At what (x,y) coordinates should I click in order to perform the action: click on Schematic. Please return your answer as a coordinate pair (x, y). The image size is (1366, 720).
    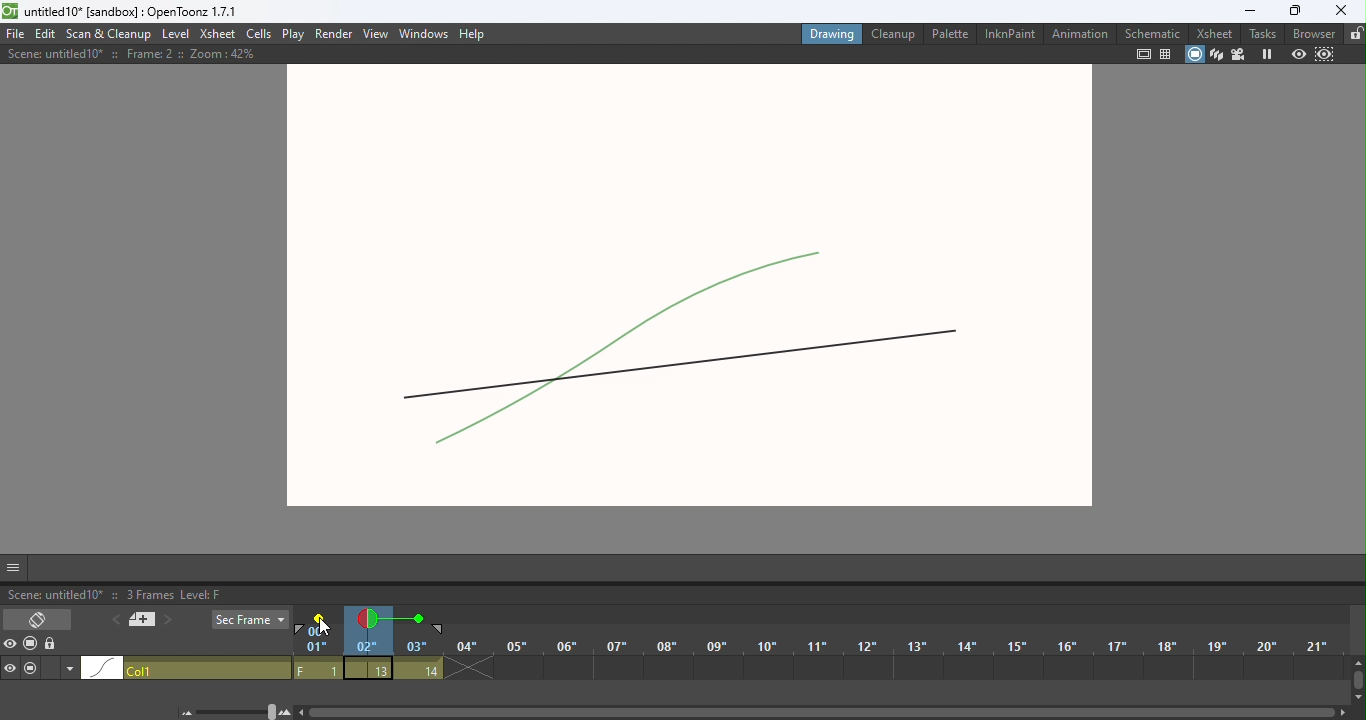
    Looking at the image, I should click on (1150, 32).